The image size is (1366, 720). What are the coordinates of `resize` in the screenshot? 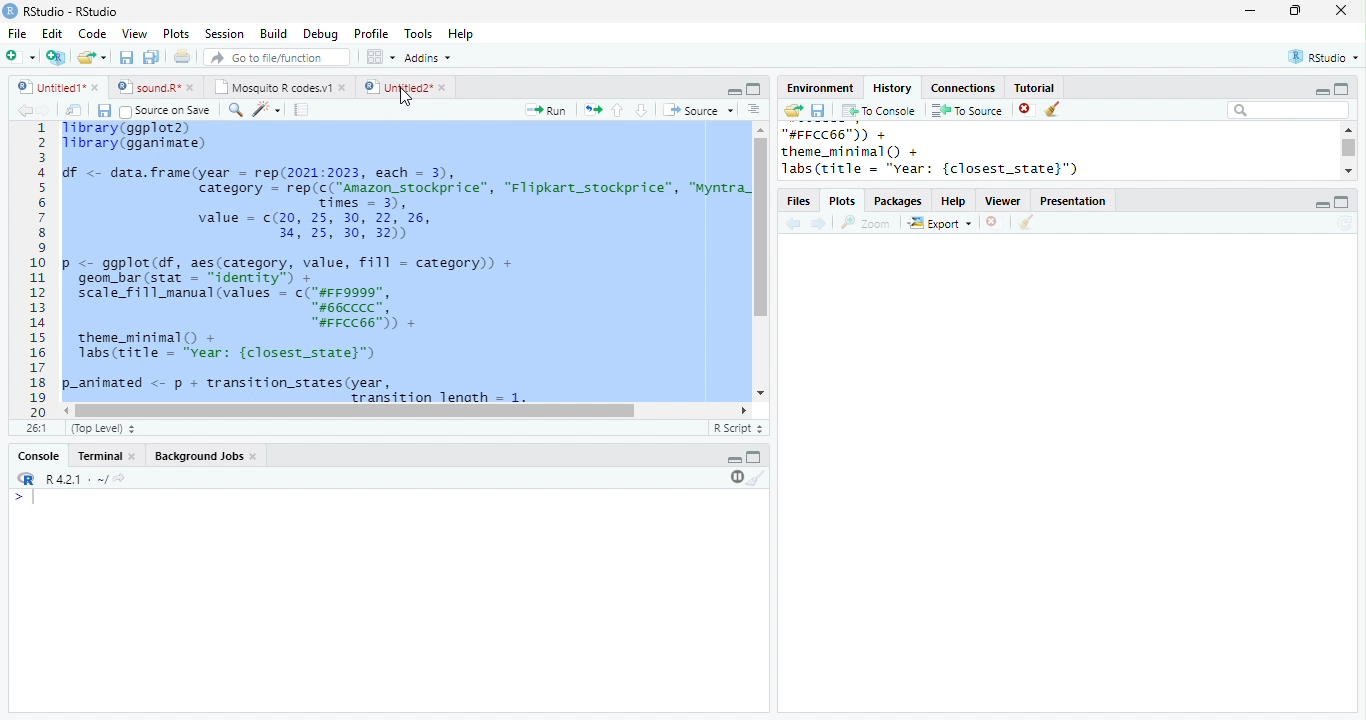 It's located at (1295, 11).